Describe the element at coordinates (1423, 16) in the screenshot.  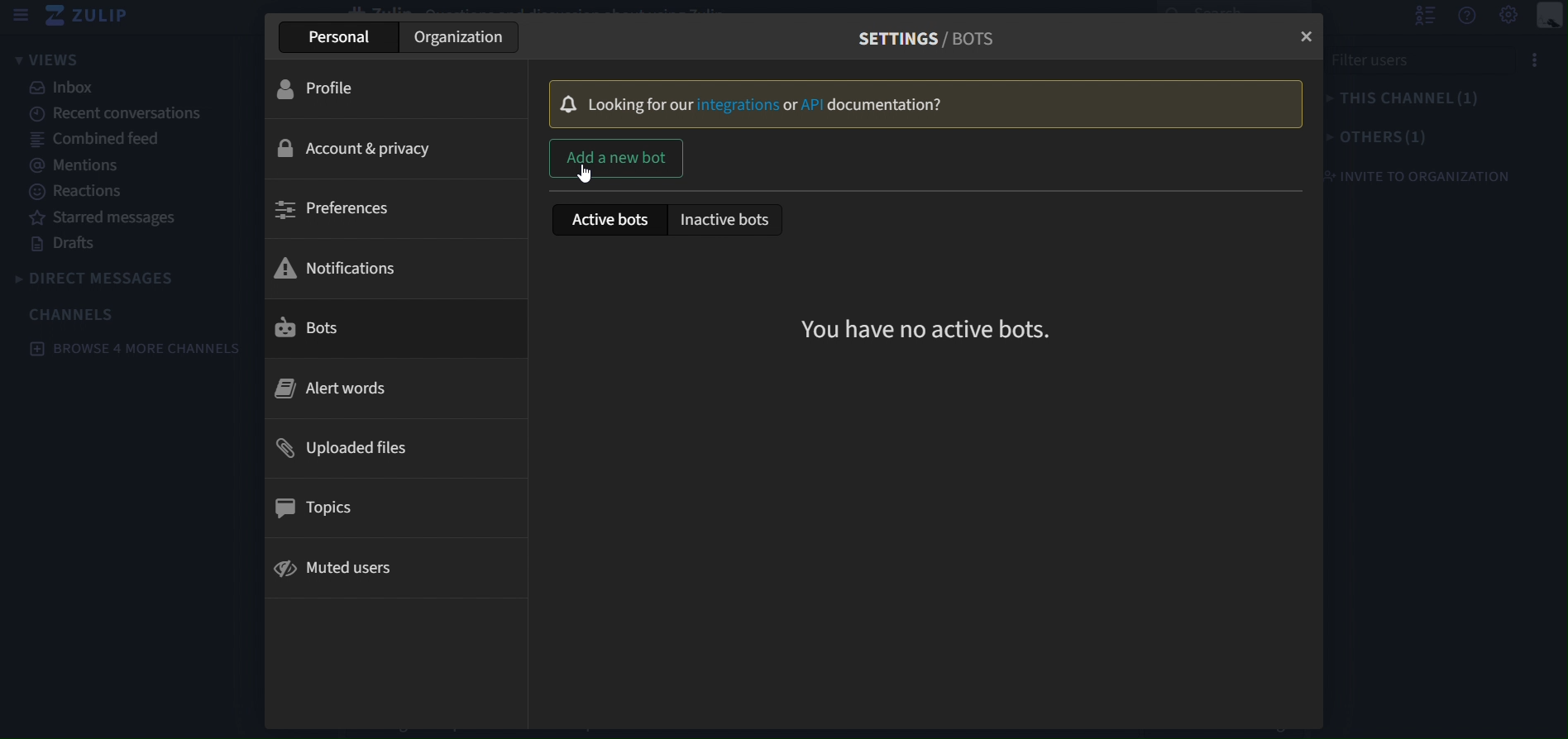
I see `hide user list` at that location.